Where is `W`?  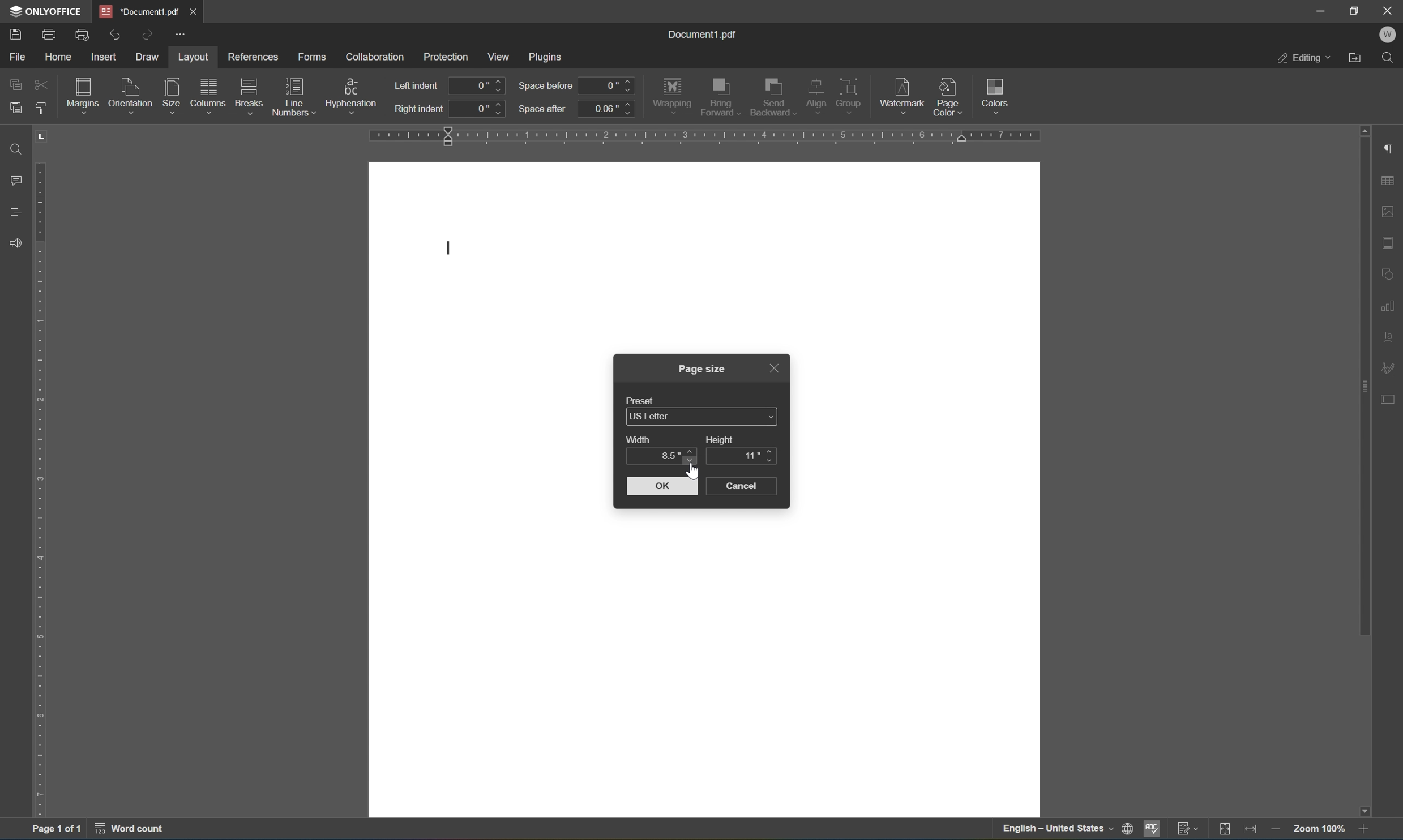 W is located at coordinates (1387, 34).